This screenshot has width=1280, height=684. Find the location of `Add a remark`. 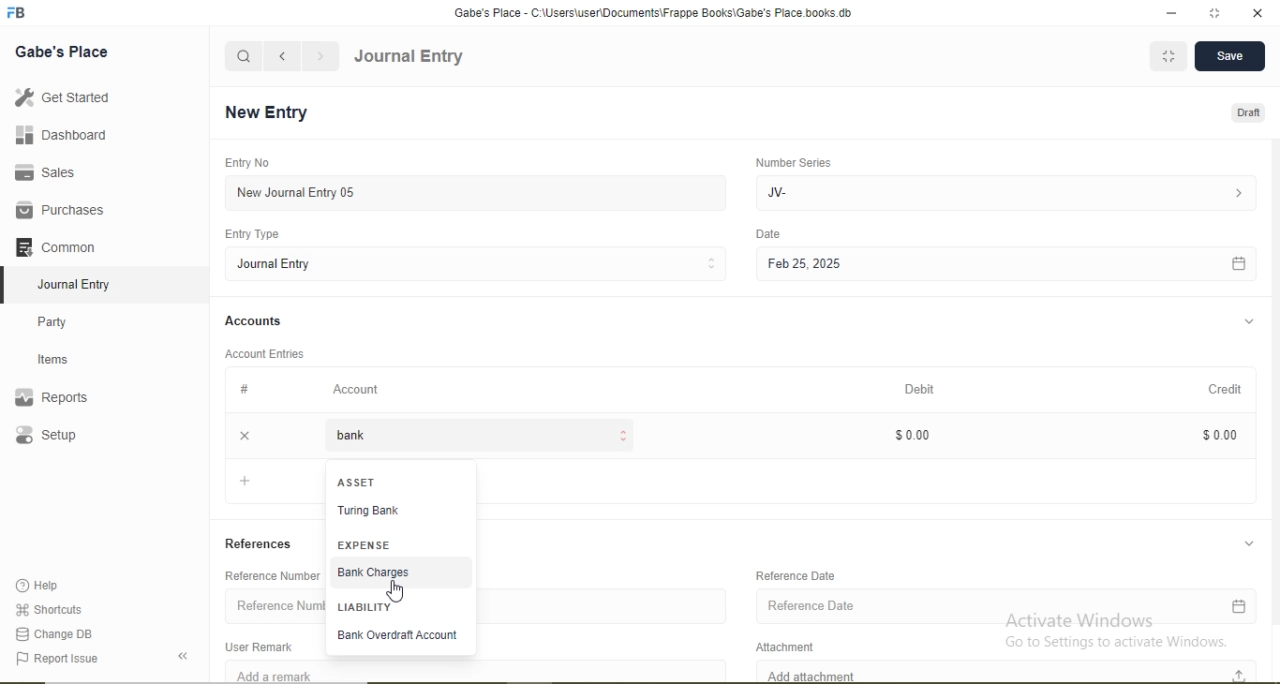

Add a remark is located at coordinates (268, 674).